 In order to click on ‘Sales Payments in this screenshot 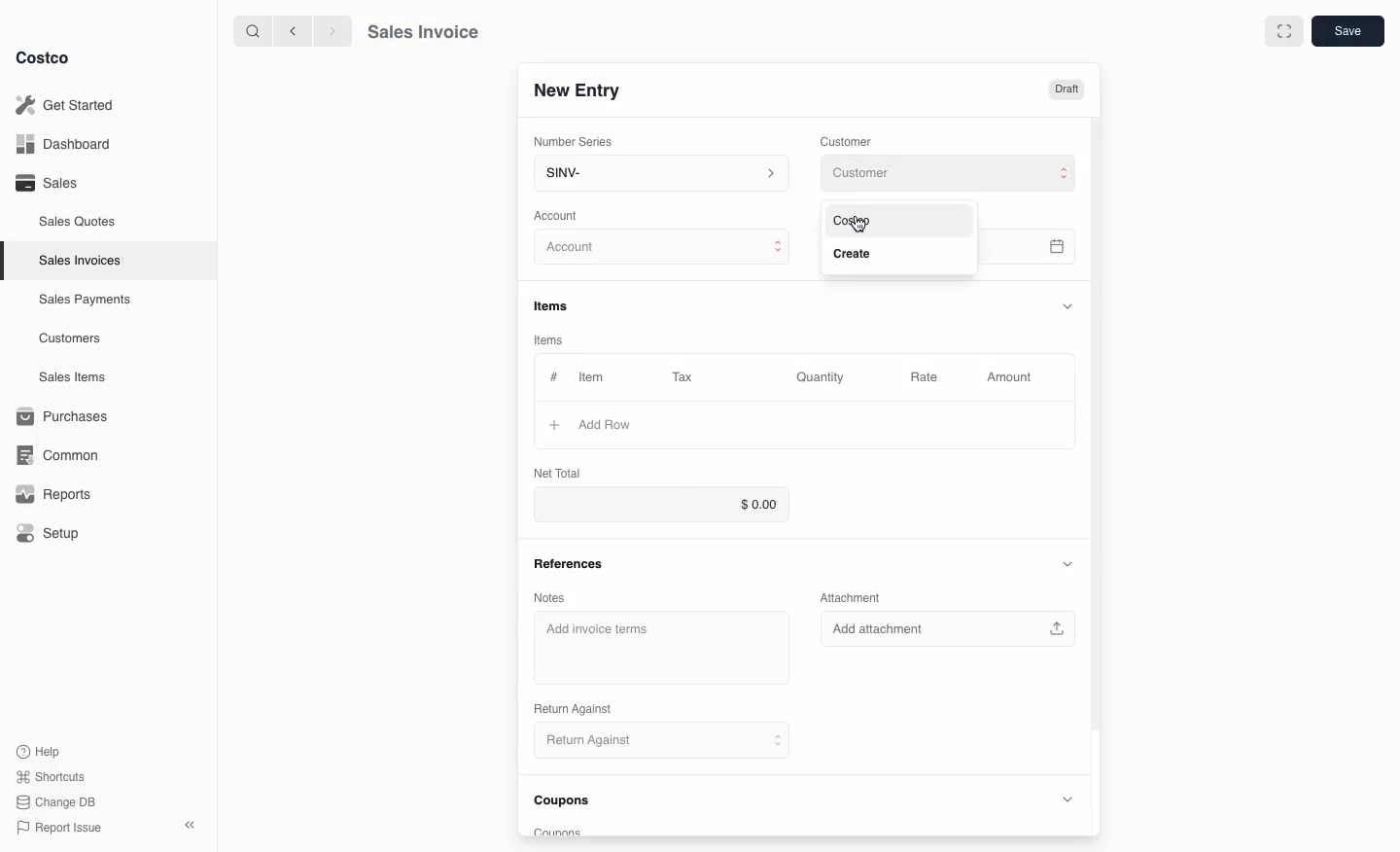, I will do `click(85, 298)`.